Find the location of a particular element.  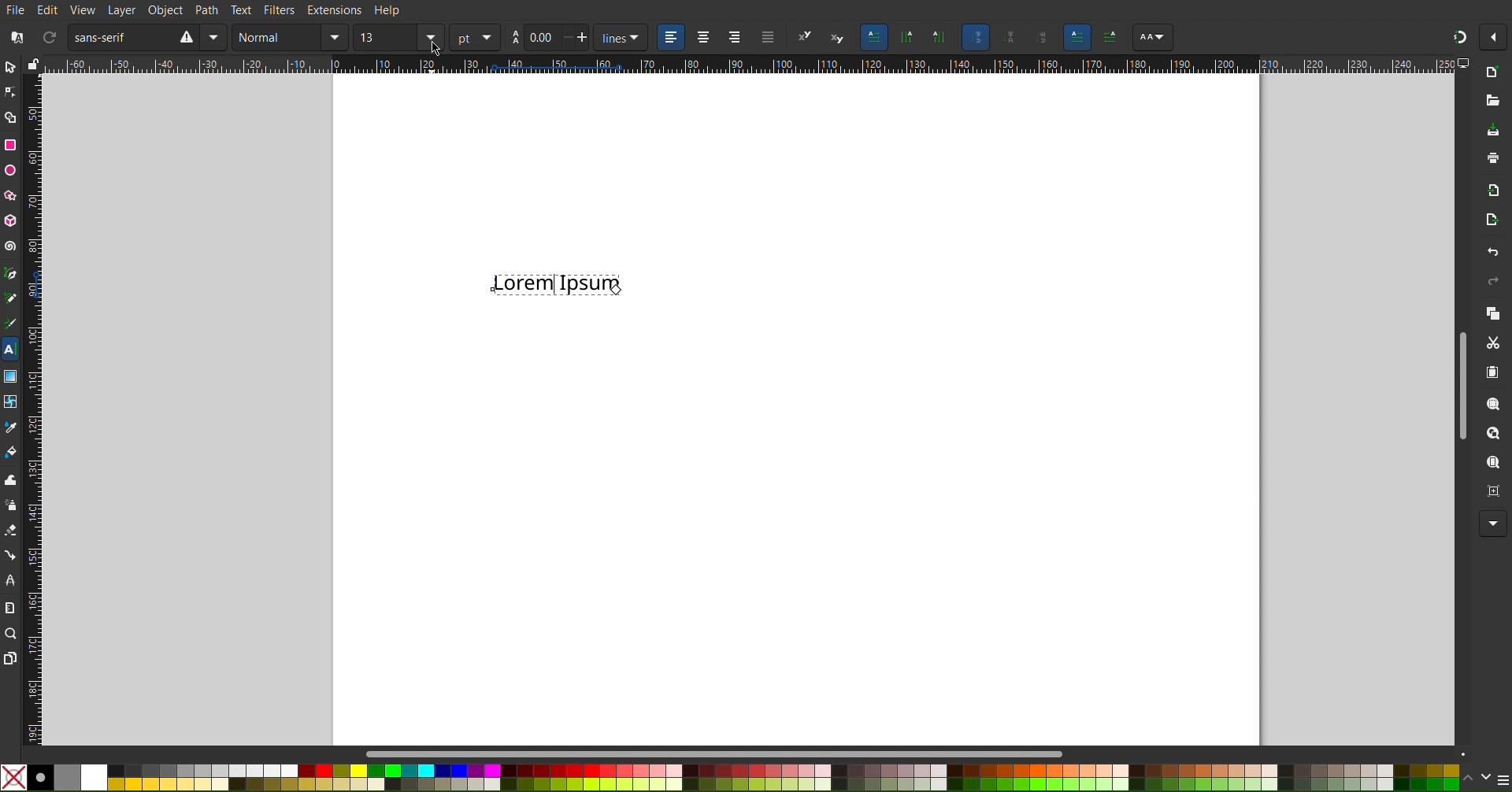

Scaling Objects settings is located at coordinates (1006, 37).